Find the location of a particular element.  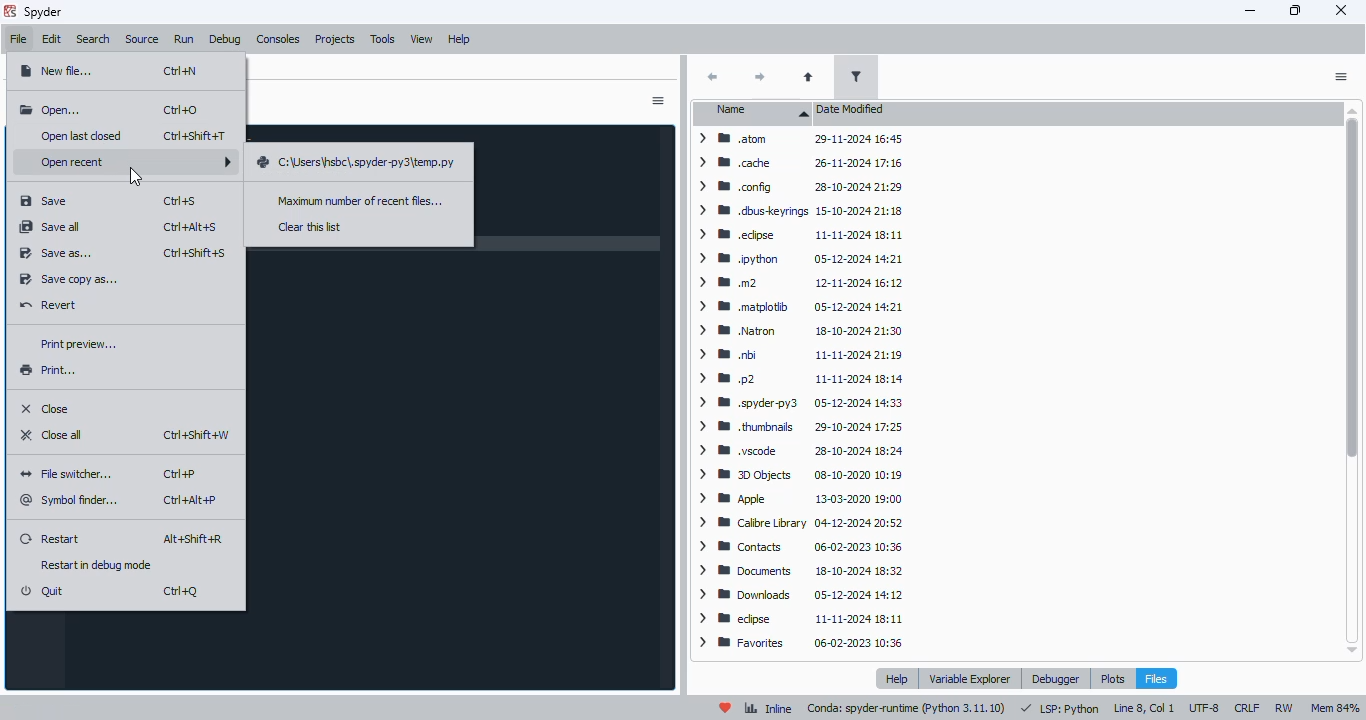

 LSP: Python is located at coordinates (1059, 708).